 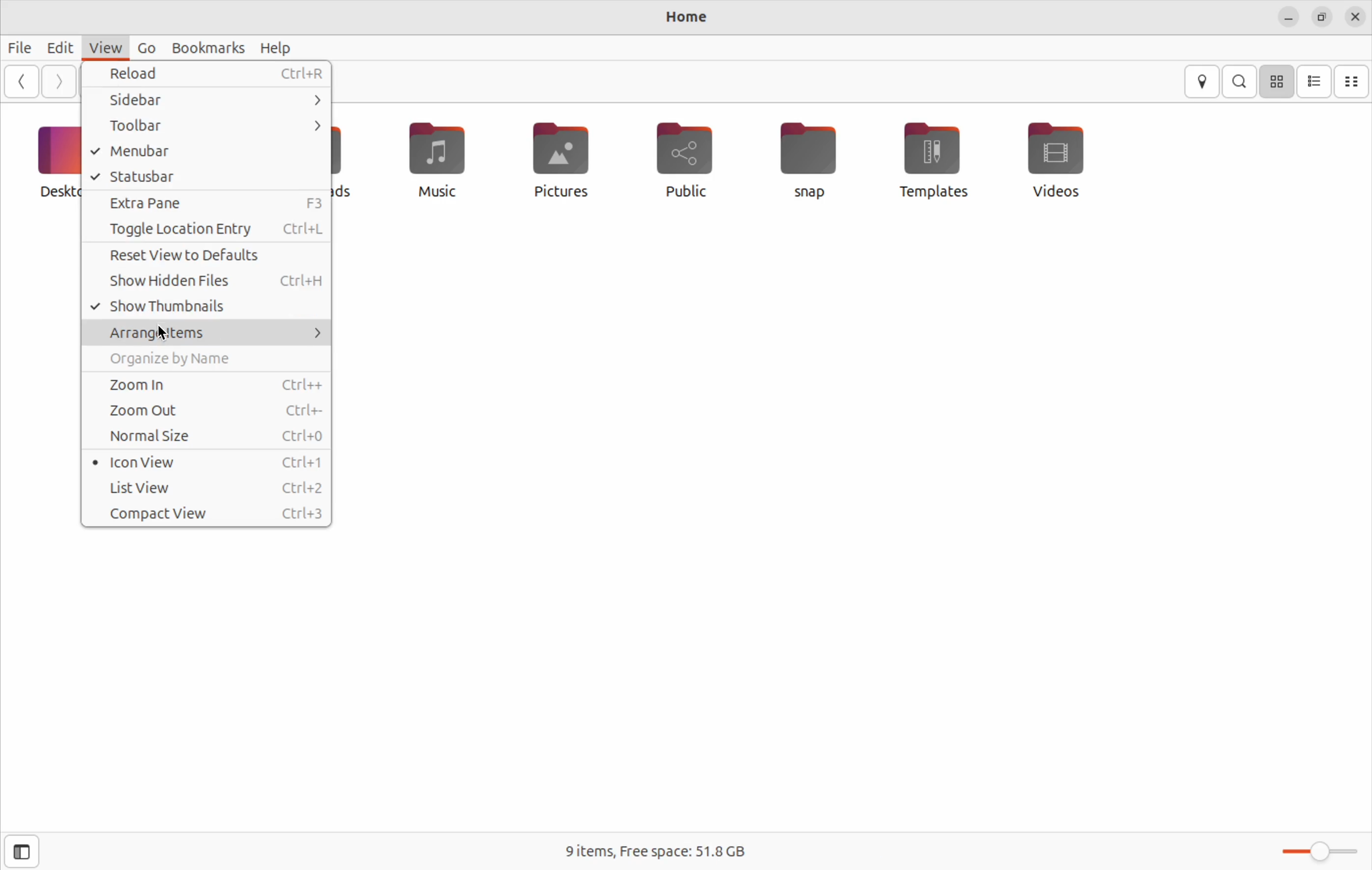 What do you see at coordinates (205, 464) in the screenshot?
I see `icon view` at bounding box center [205, 464].